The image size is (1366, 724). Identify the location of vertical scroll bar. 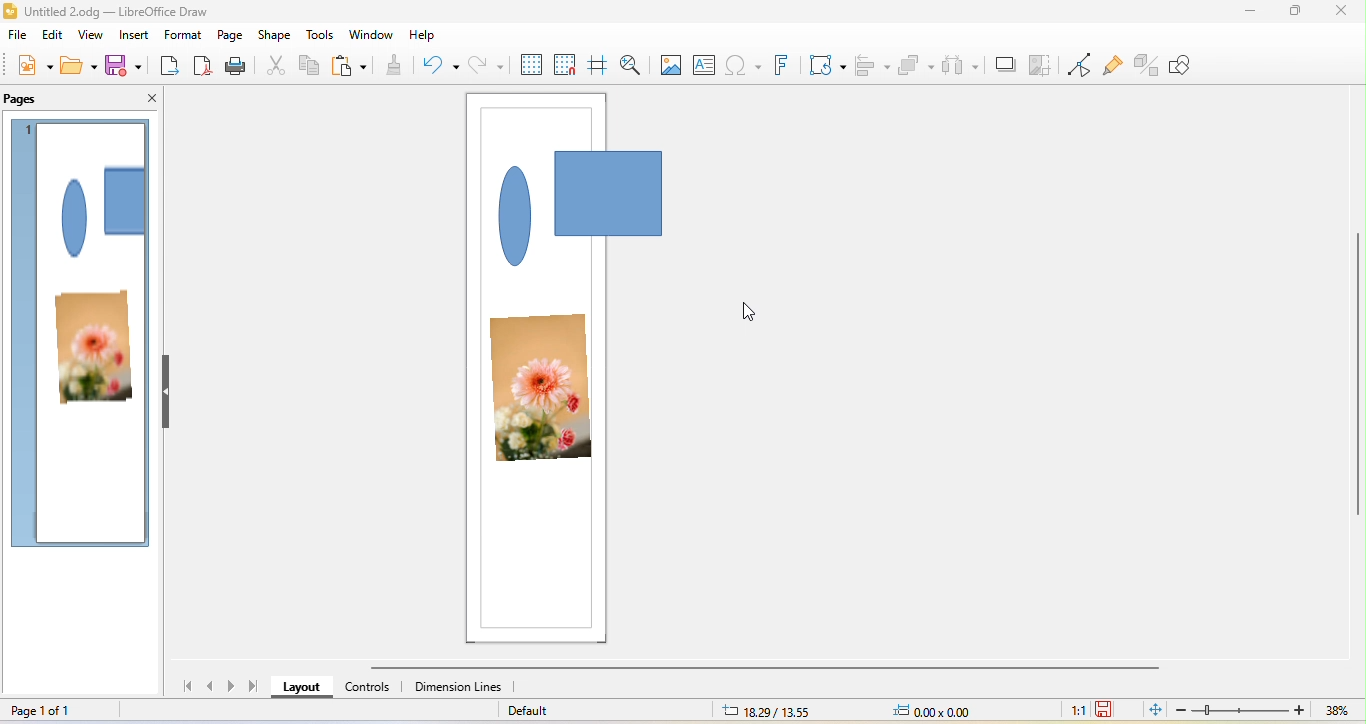
(1357, 373).